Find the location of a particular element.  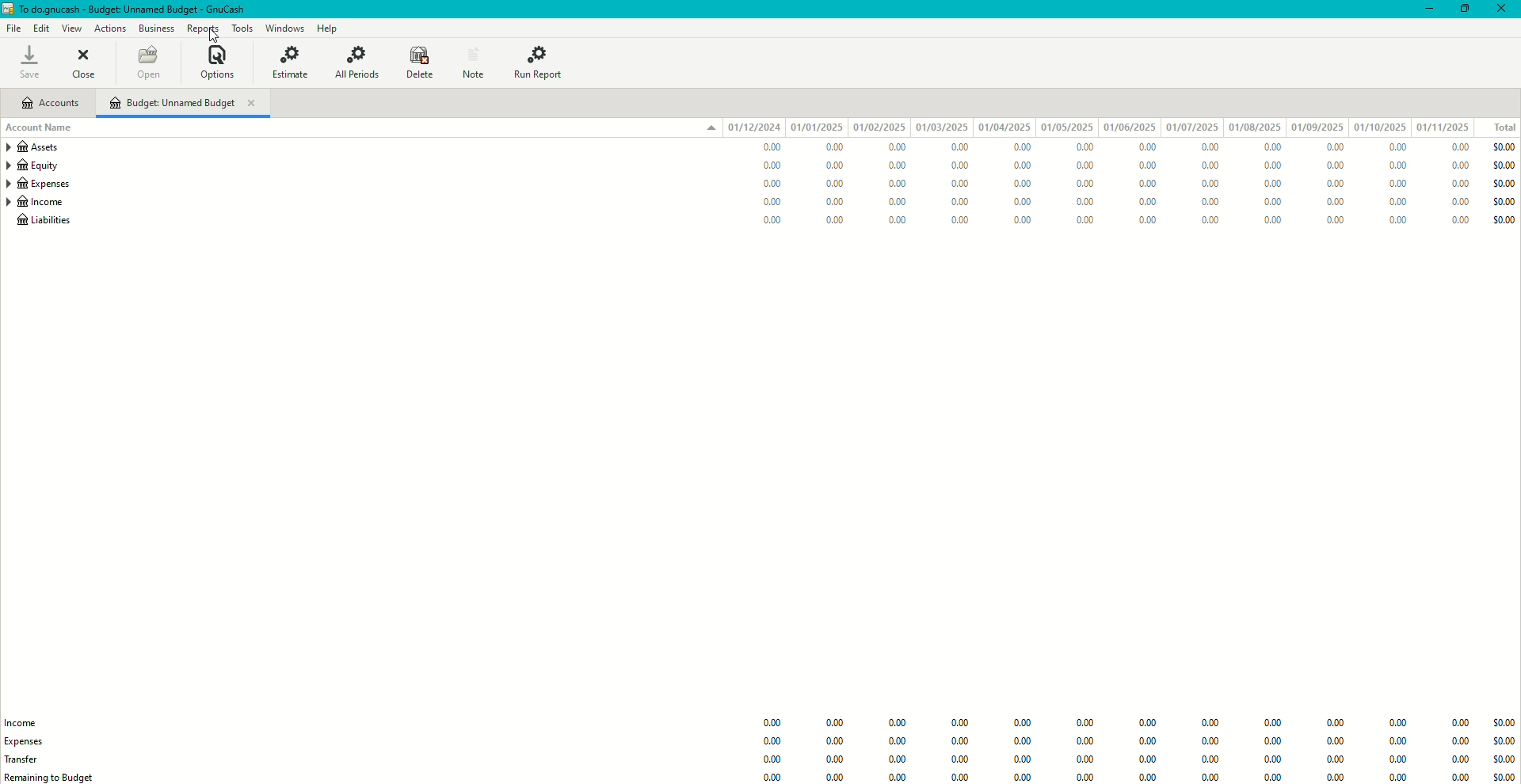

Trade is located at coordinates (29, 758).